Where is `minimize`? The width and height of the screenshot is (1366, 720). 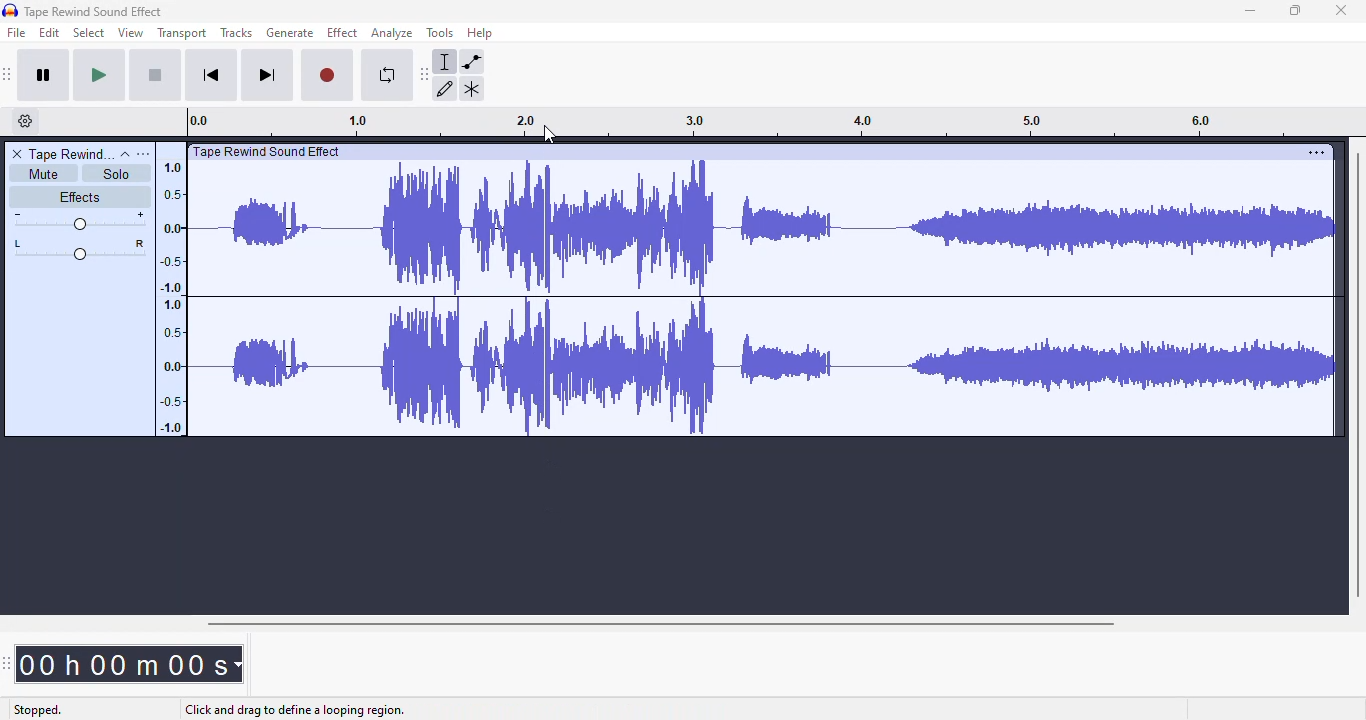
minimize is located at coordinates (1250, 11).